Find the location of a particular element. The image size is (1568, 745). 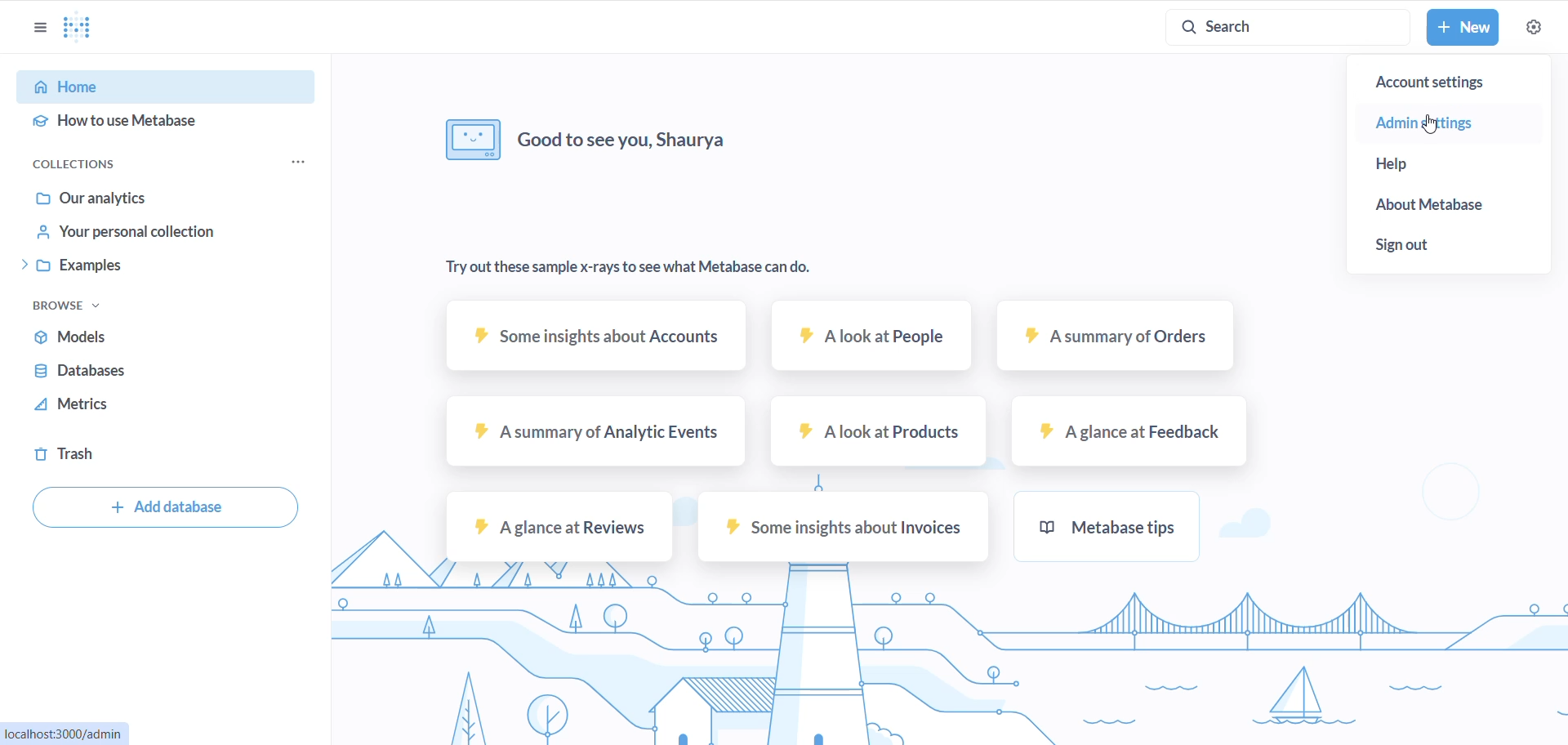

admin settings is located at coordinates (1430, 123).